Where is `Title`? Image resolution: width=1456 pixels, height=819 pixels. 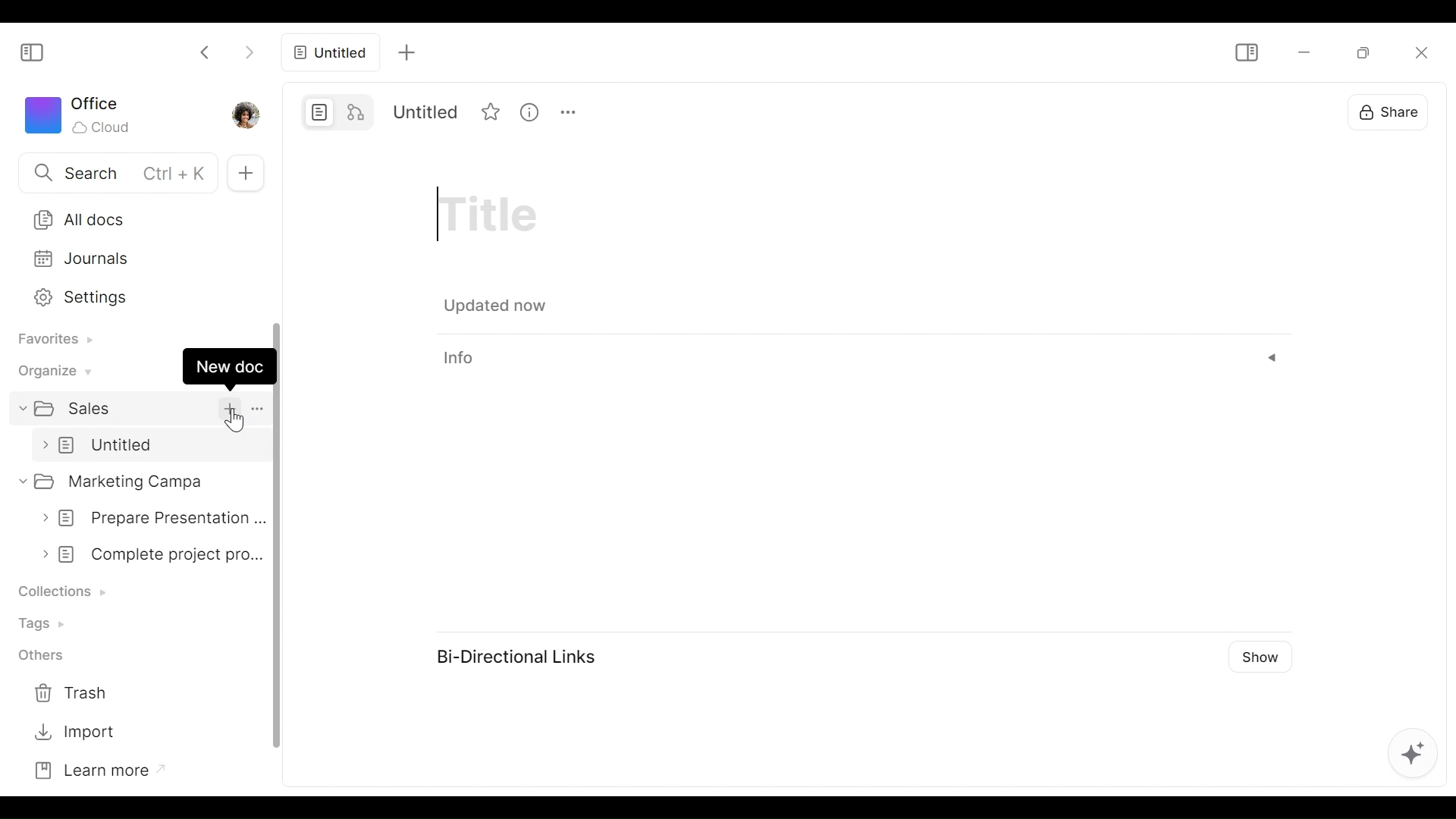
Title is located at coordinates (427, 111).